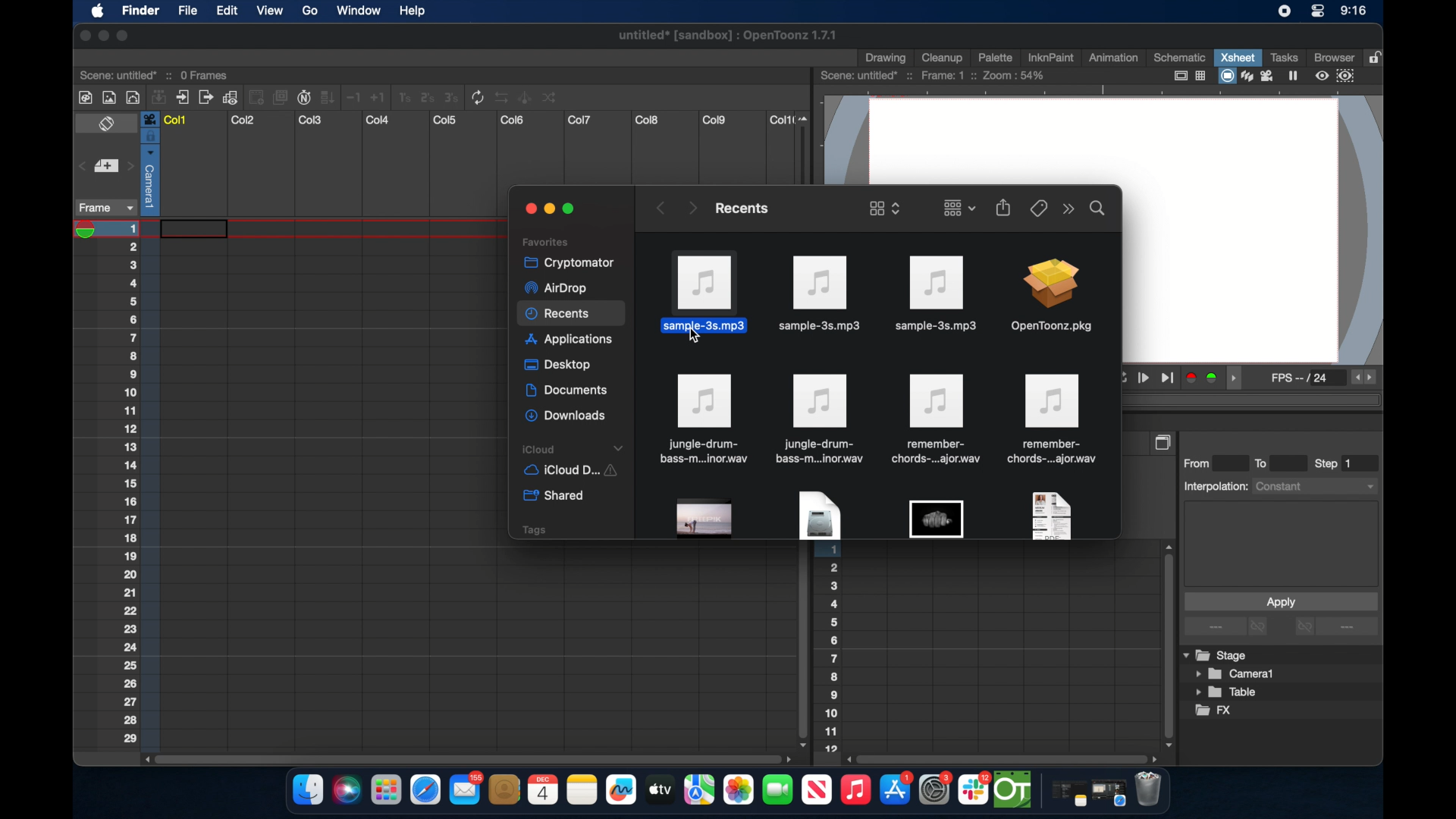  I want to click on playback controls, so click(1148, 378).